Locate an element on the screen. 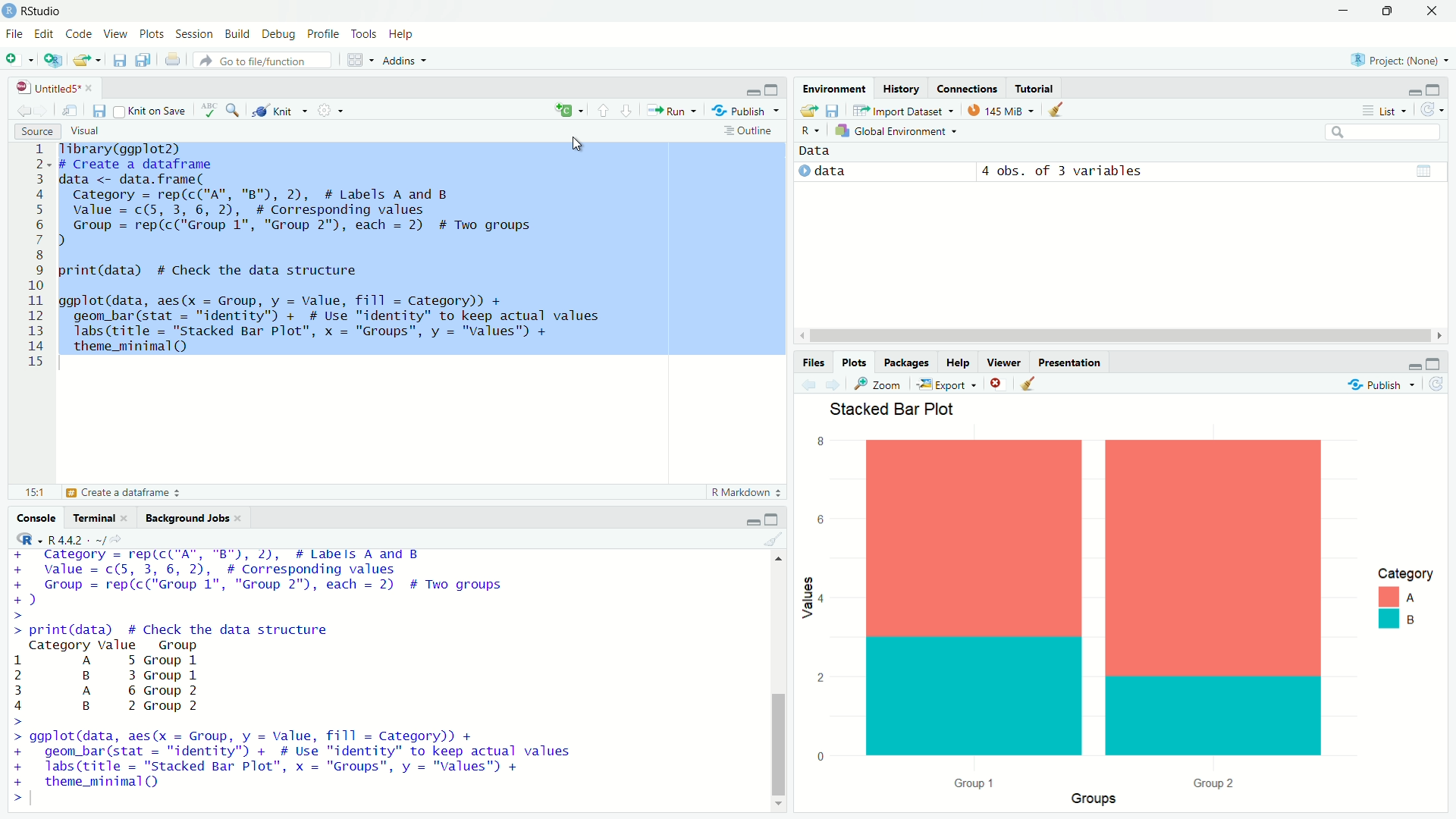 This screenshot has width=1456, height=819. Run the current line or selection (Ctrl + Enter) is located at coordinates (674, 109).